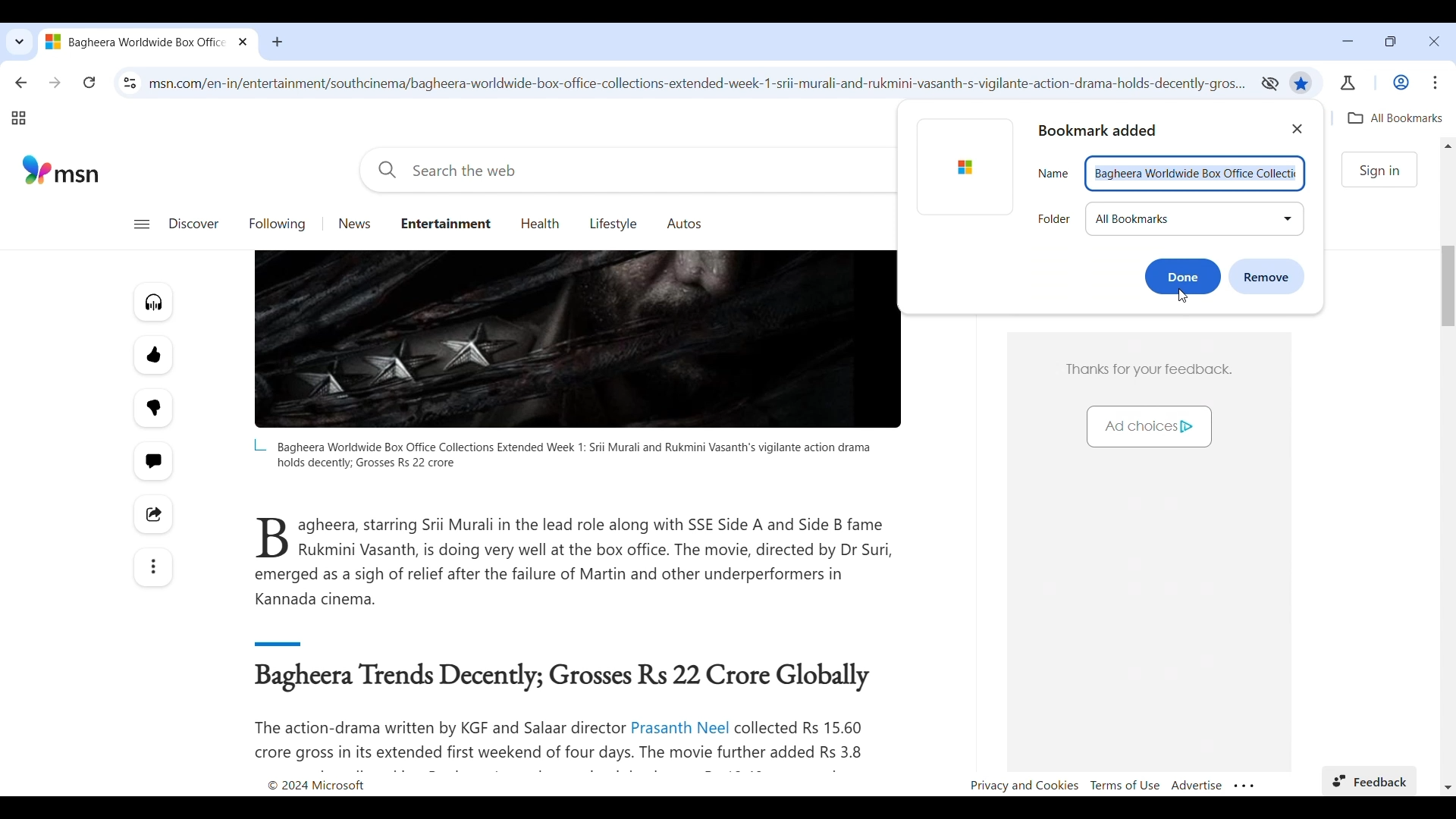 Image resolution: width=1456 pixels, height=819 pixels. Describe the element at coordinates (153, 355) in the screenshot. I see `More like this article` at that location.